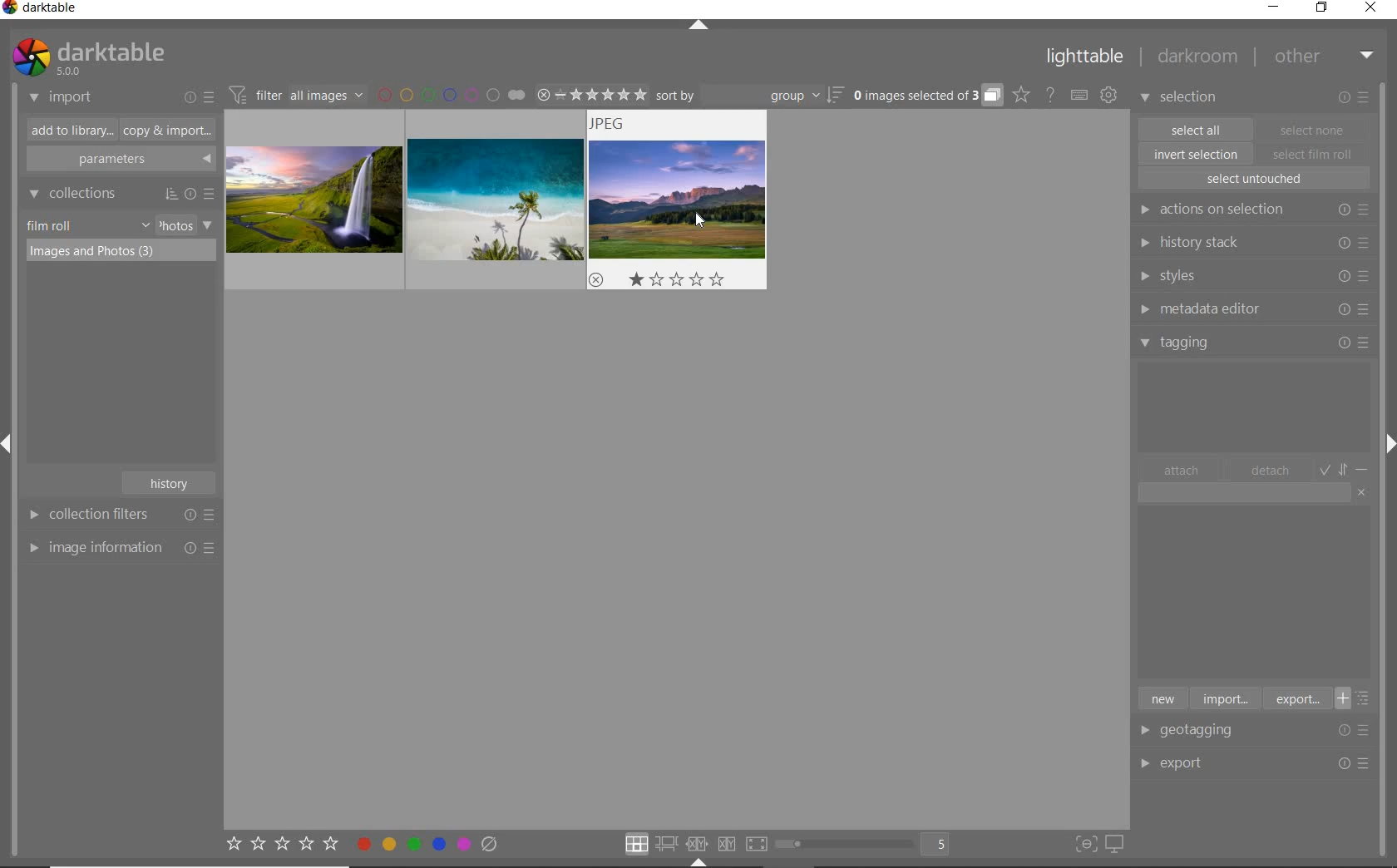 This screenshot has width=1397, height=868. Describe the element at coordinates (1324, 56) in the screenshot. I see `other` at that location.